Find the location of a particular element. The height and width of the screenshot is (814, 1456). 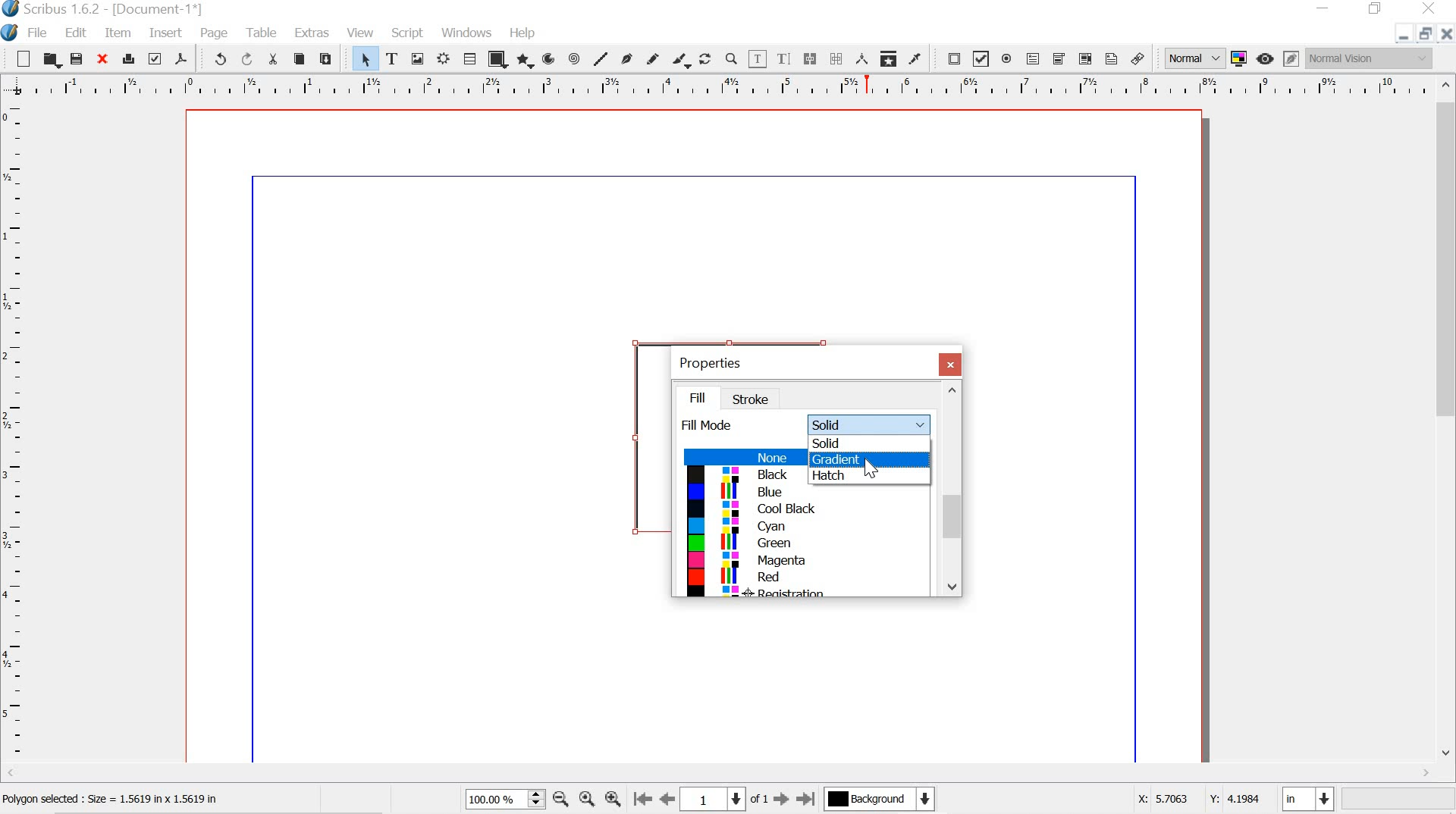

registration is located at coordinates (799, 593).